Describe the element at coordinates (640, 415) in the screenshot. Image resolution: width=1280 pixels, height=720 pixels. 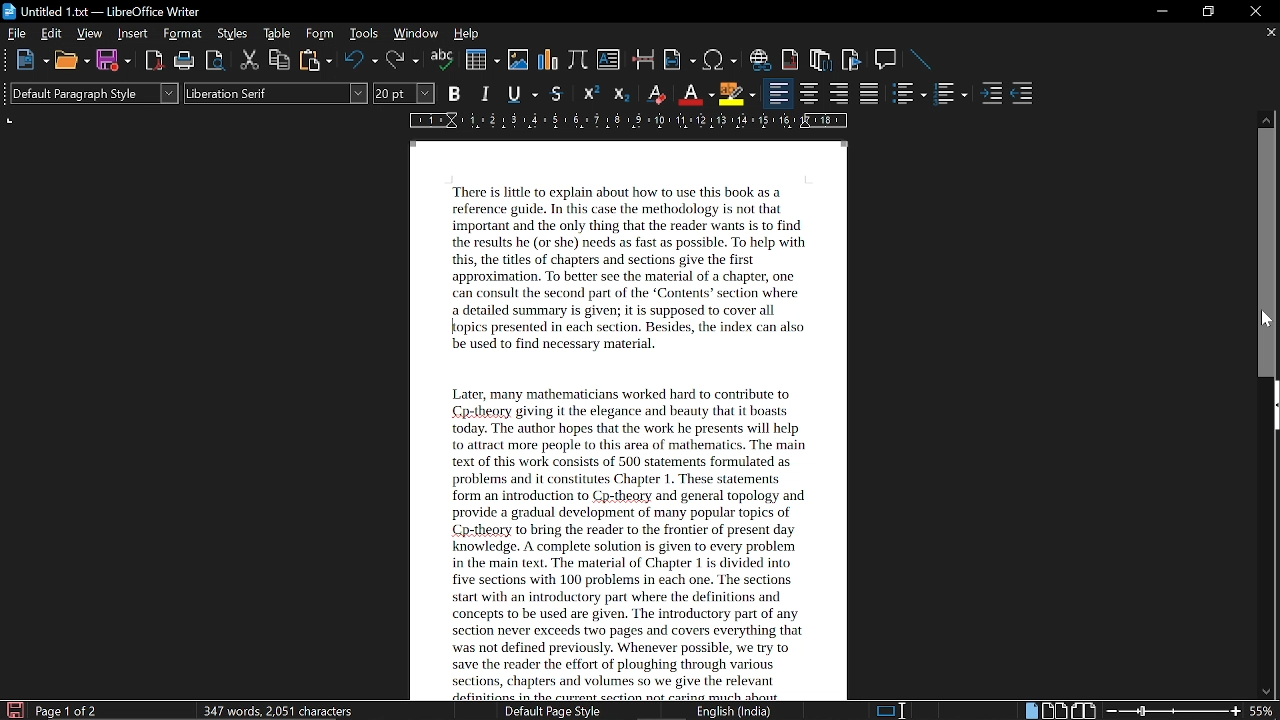
I see `current page` at that location.